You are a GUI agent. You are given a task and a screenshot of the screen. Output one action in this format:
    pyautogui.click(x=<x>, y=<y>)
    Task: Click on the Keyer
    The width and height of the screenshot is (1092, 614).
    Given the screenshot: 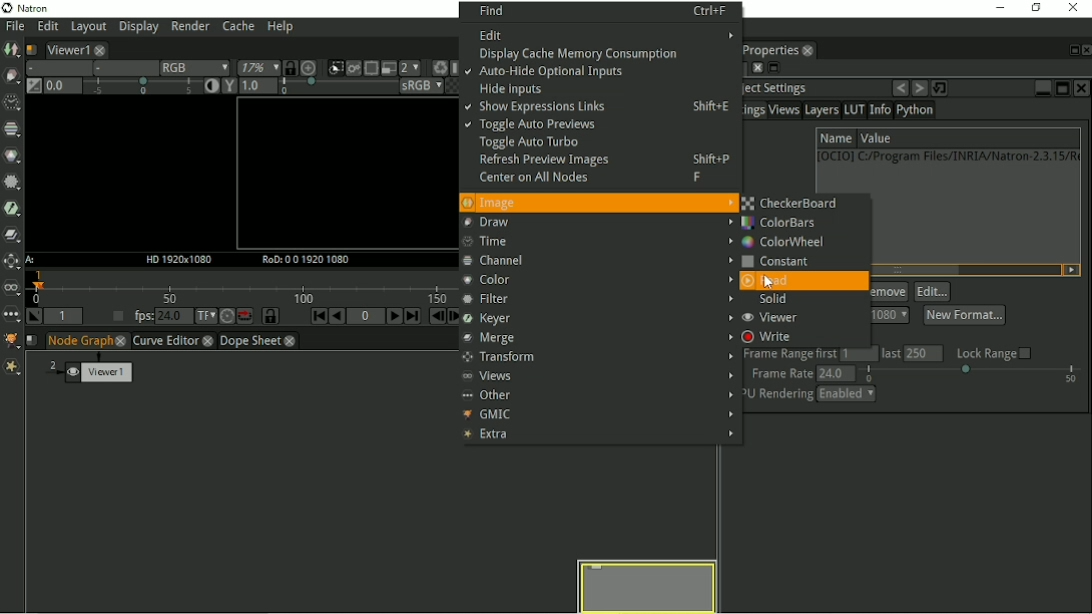 What is the action you would take?
    pyautogui.click(x=595, y=318)
    